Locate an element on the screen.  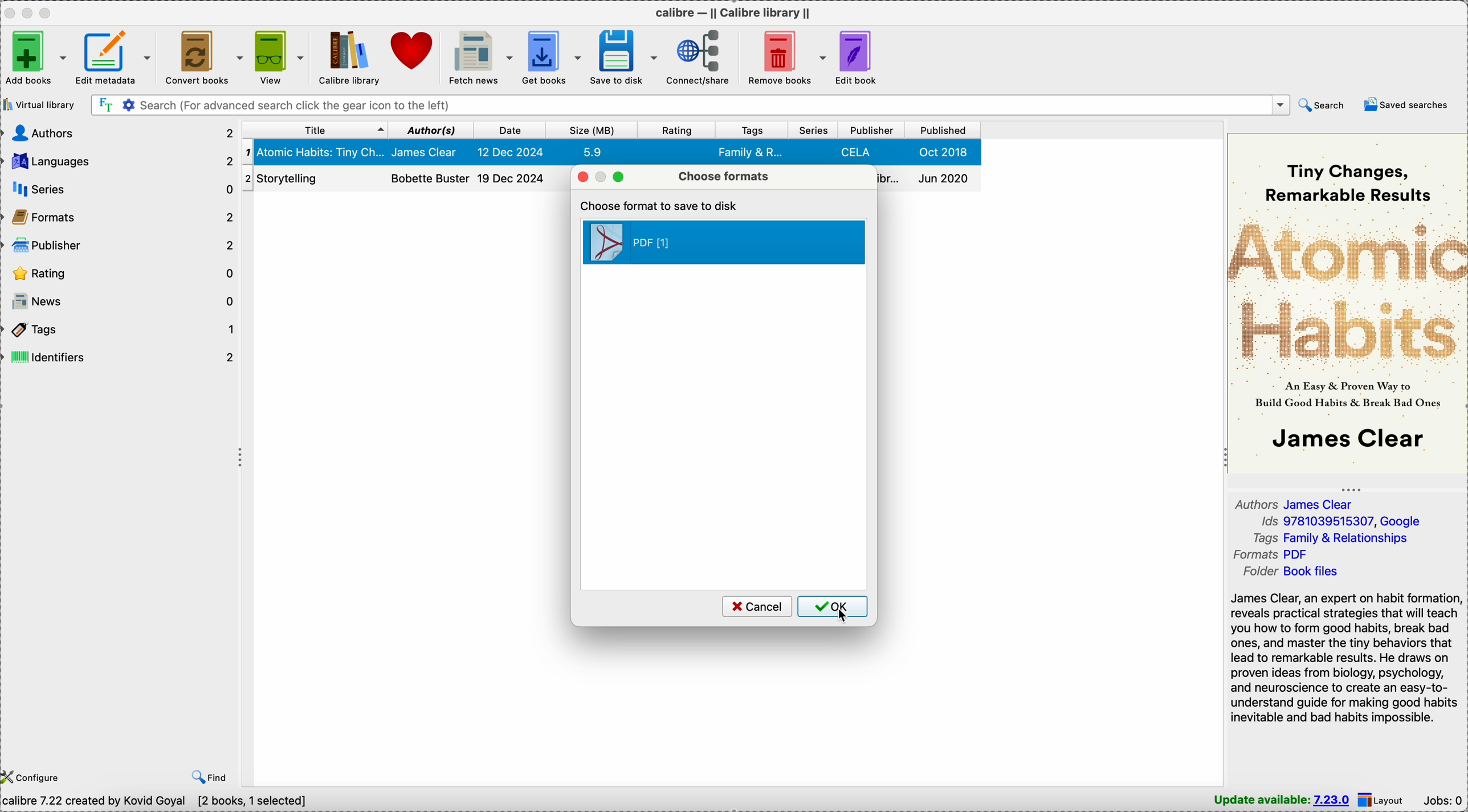
author James Clear is located at coordinates (1294, 503).